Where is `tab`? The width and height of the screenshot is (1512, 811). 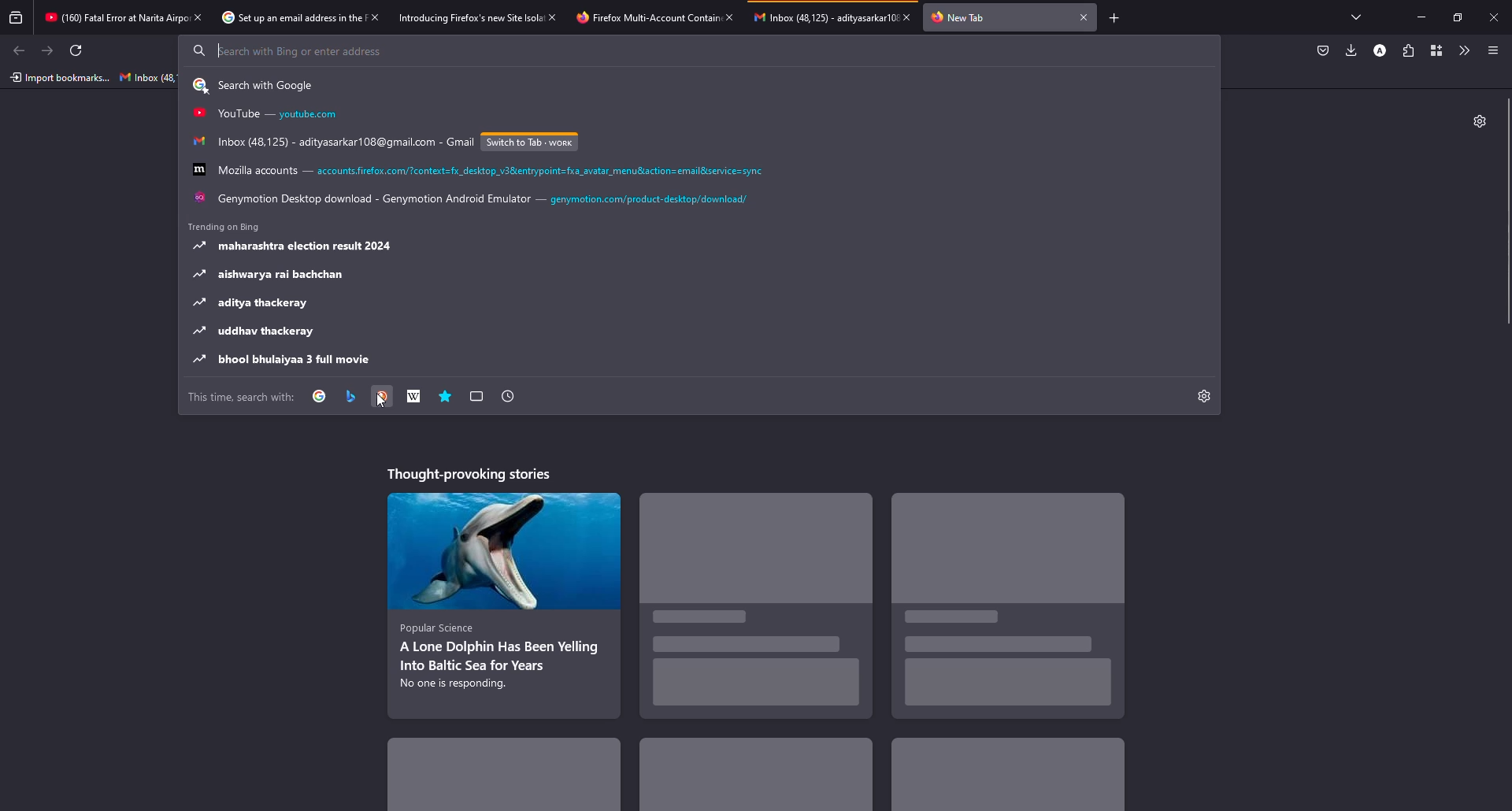 tab is located at coordinates (817, 23).